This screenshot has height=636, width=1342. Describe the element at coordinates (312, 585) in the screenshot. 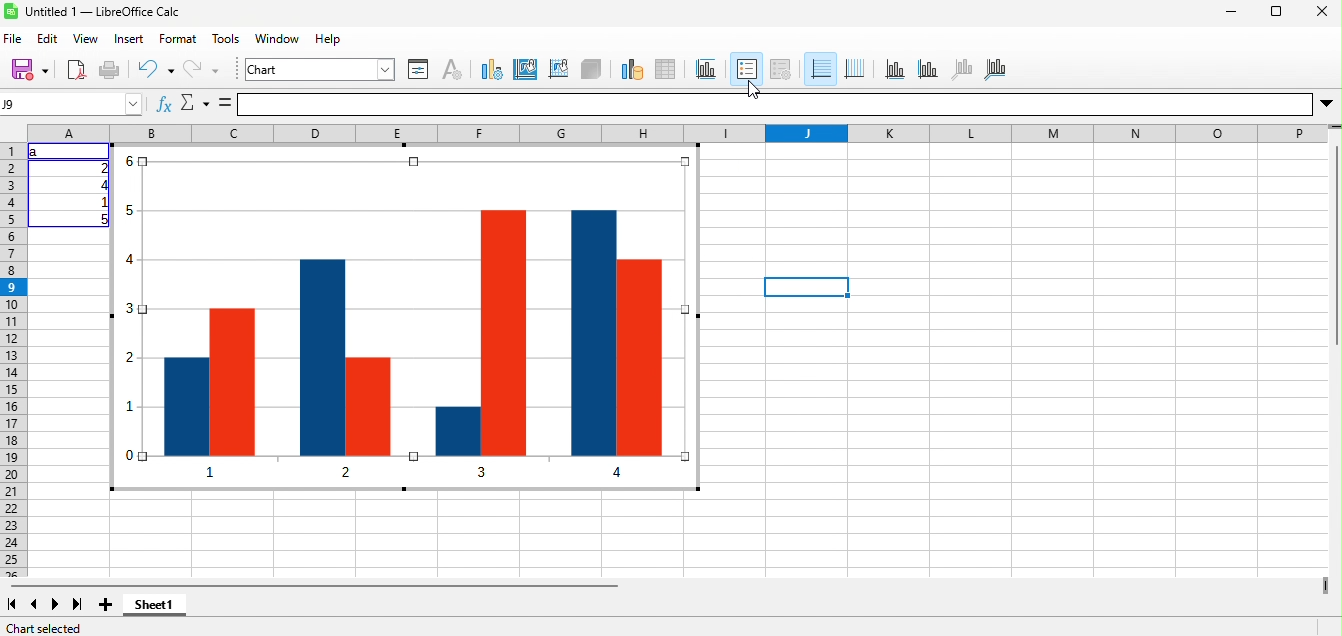

I see `horizontal scroll bar` at that location.